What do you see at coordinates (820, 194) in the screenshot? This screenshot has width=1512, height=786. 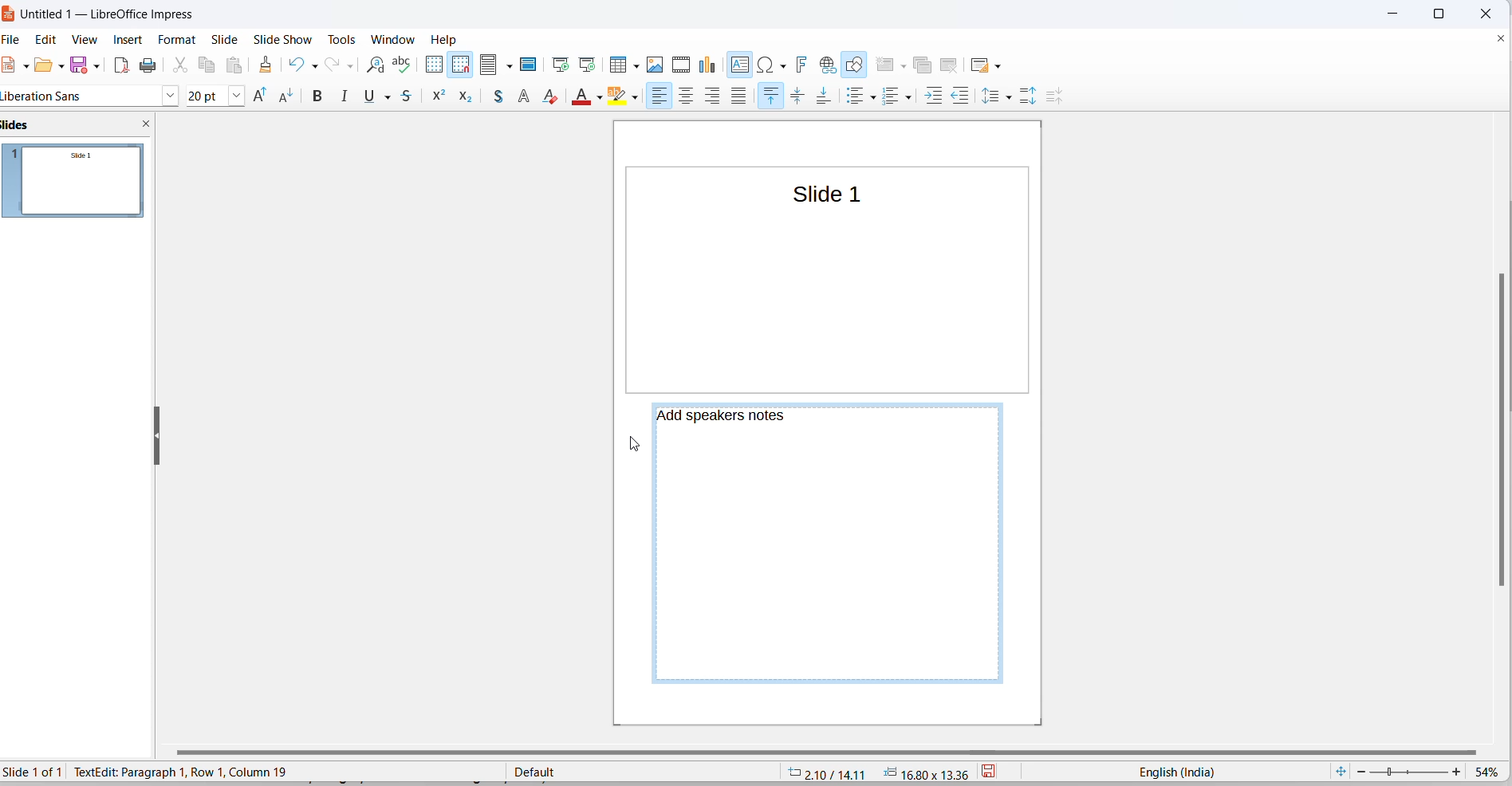 I see `slide title` at bounding box center [820, 194].